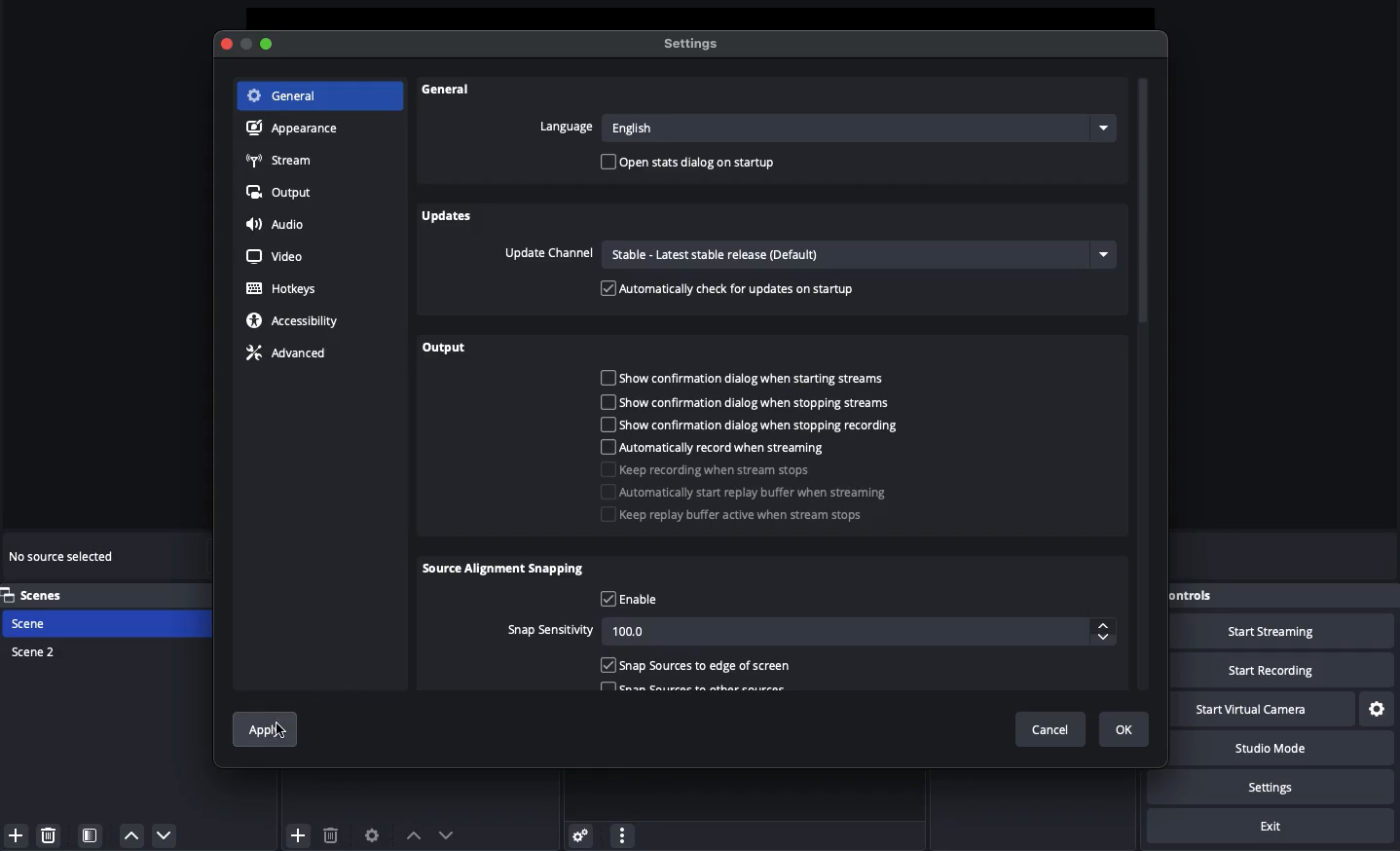  Describe the element at coordinates (283, 160) in the screenshot. I see `Stream` at that location.